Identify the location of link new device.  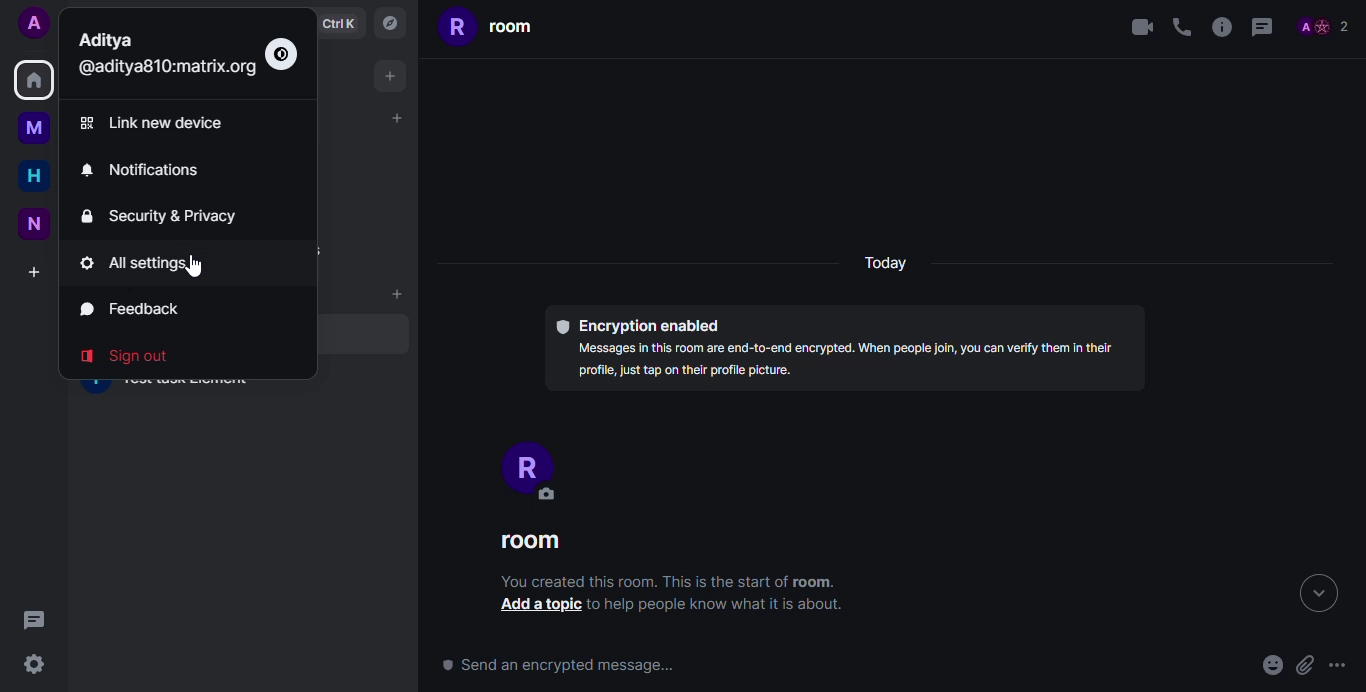
(159, 124).